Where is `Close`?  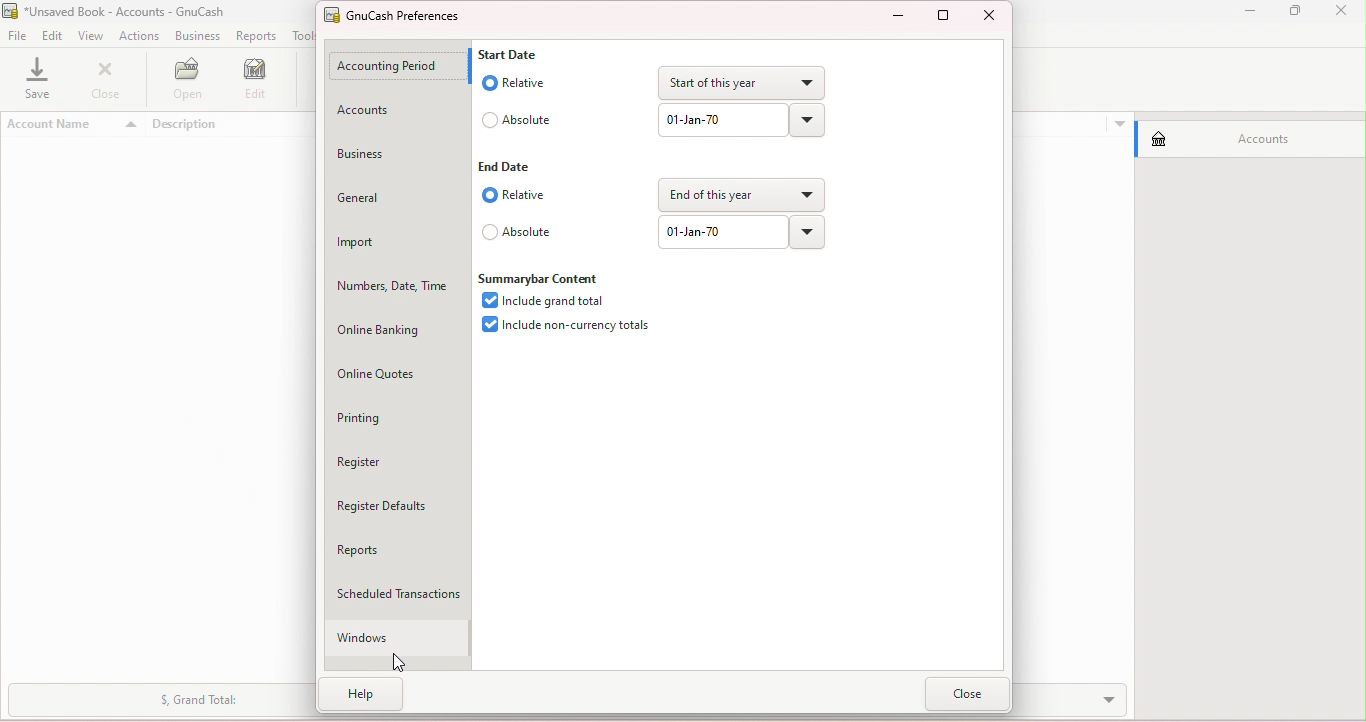 Close is located at coordinates (969, 692).